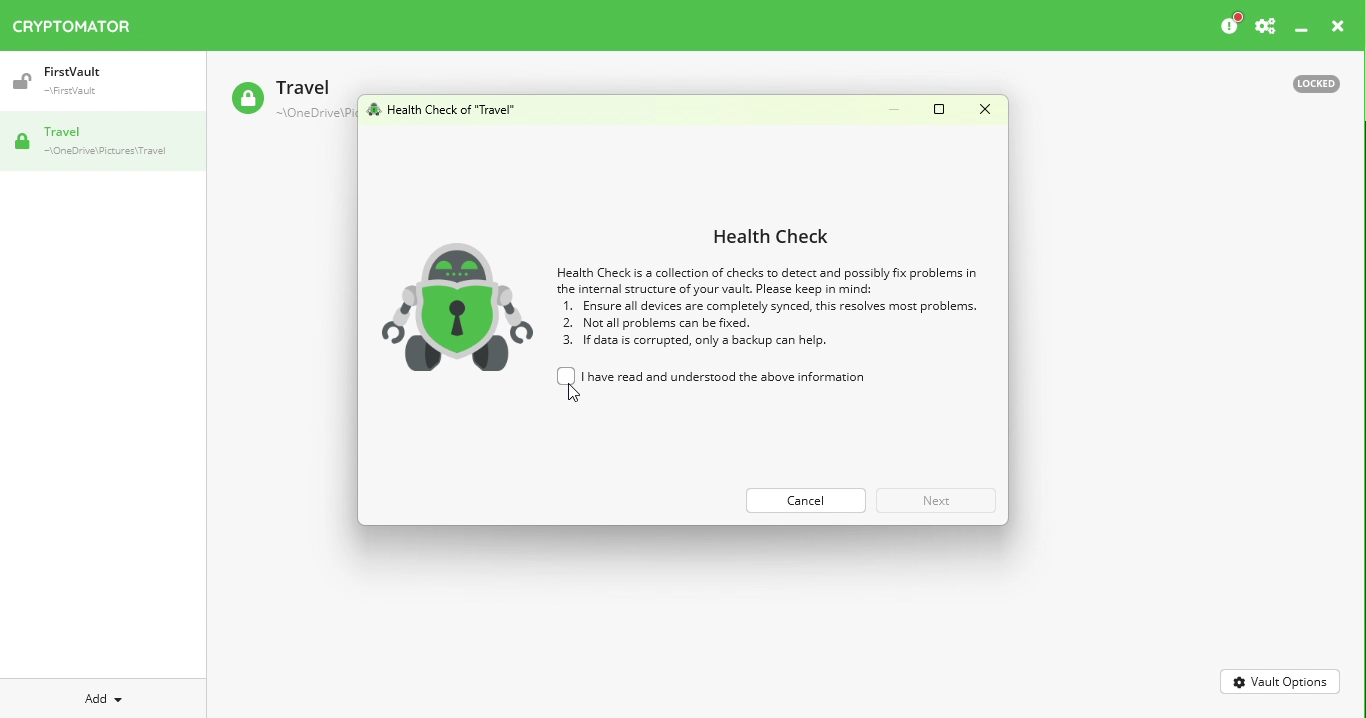 The height and width of the screenshot is (718, 1366). What do you see at coordinates (1322, 83) in the screenshot?
I see `Locked` at bounding box center [1322, 83].